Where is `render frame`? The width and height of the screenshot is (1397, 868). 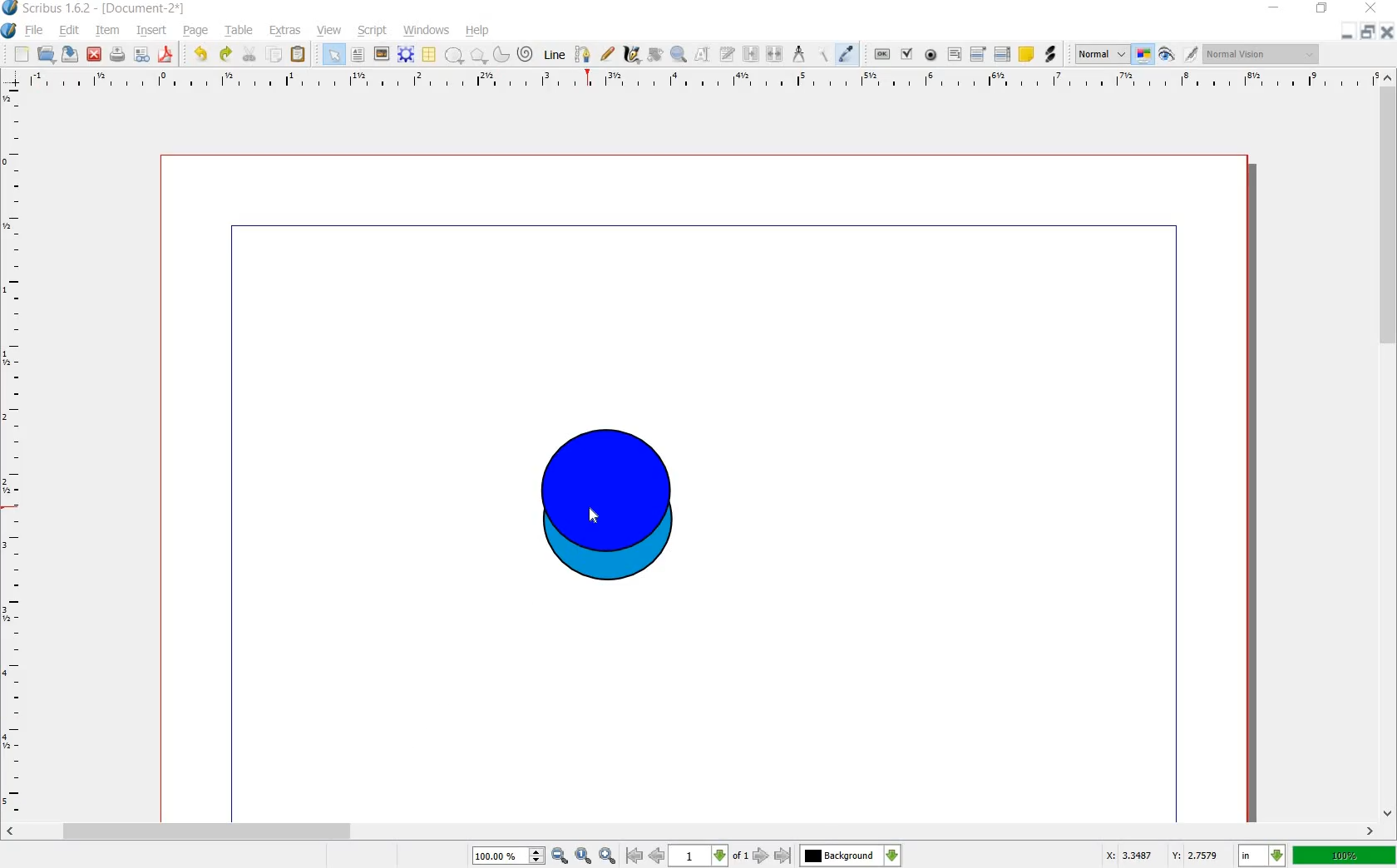 render frame is located at coordinates (405, 53).